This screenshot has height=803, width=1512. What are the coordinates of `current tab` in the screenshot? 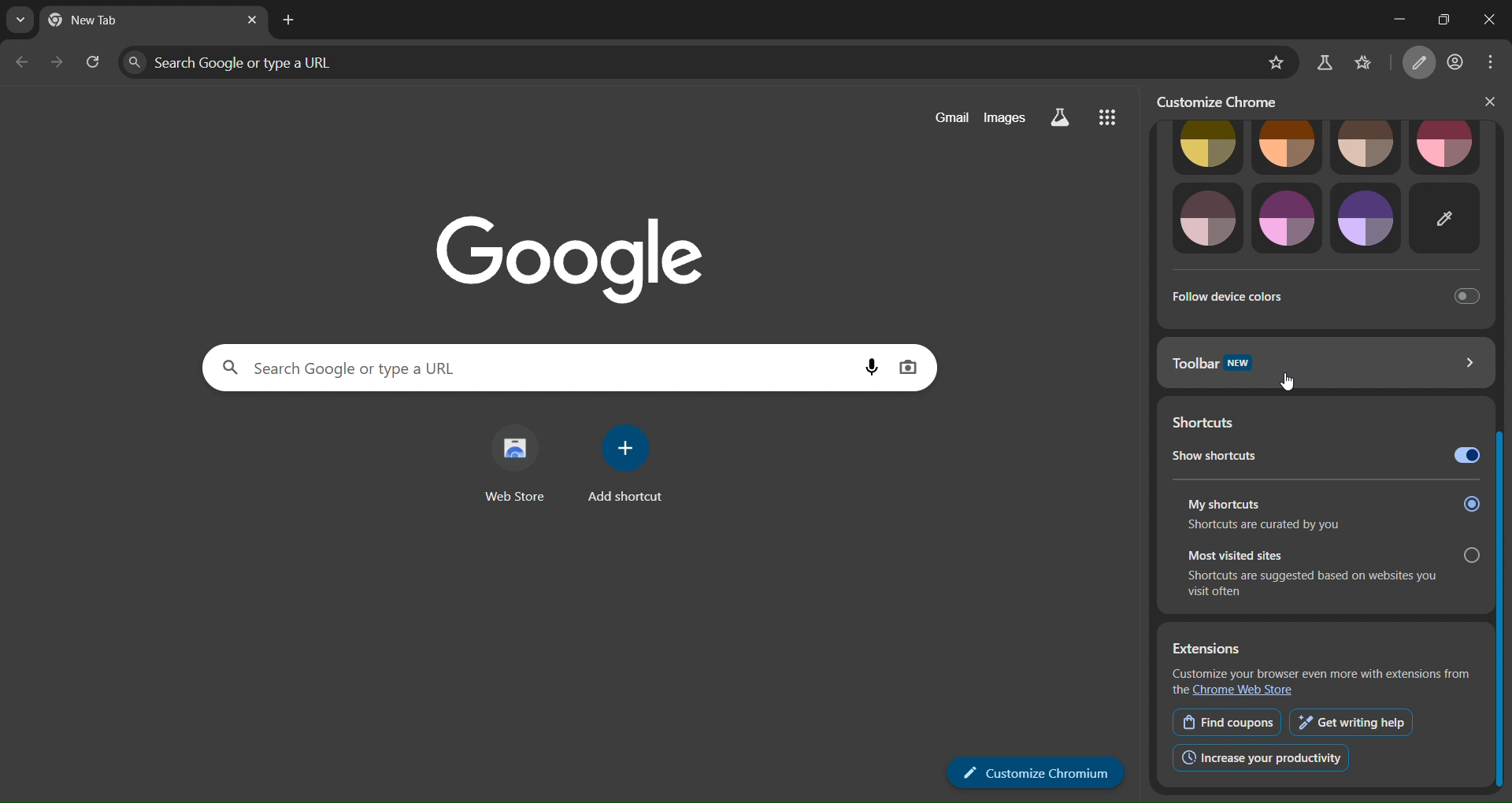 It's located at (113, 21).